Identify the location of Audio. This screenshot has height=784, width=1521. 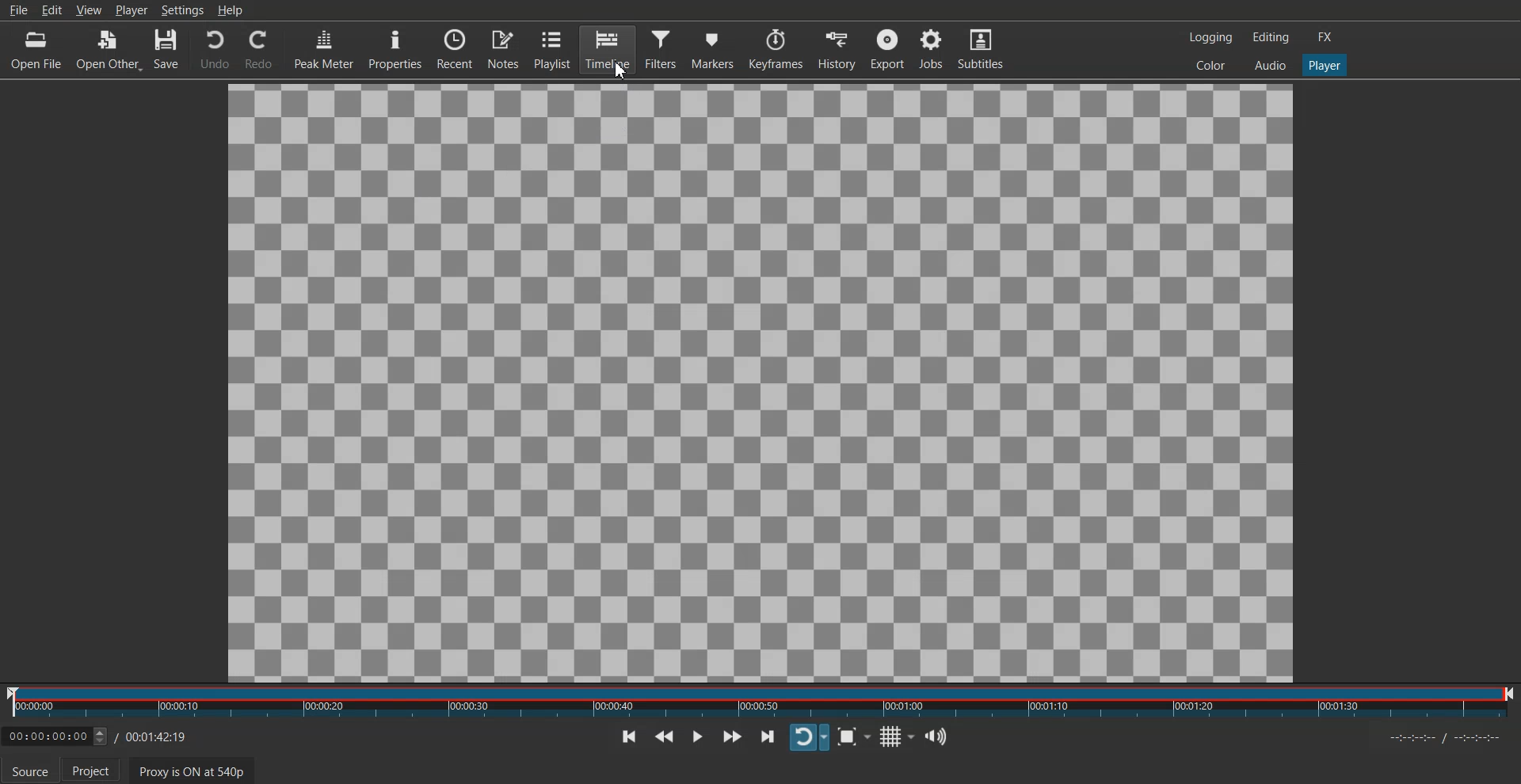
(1270, 64).